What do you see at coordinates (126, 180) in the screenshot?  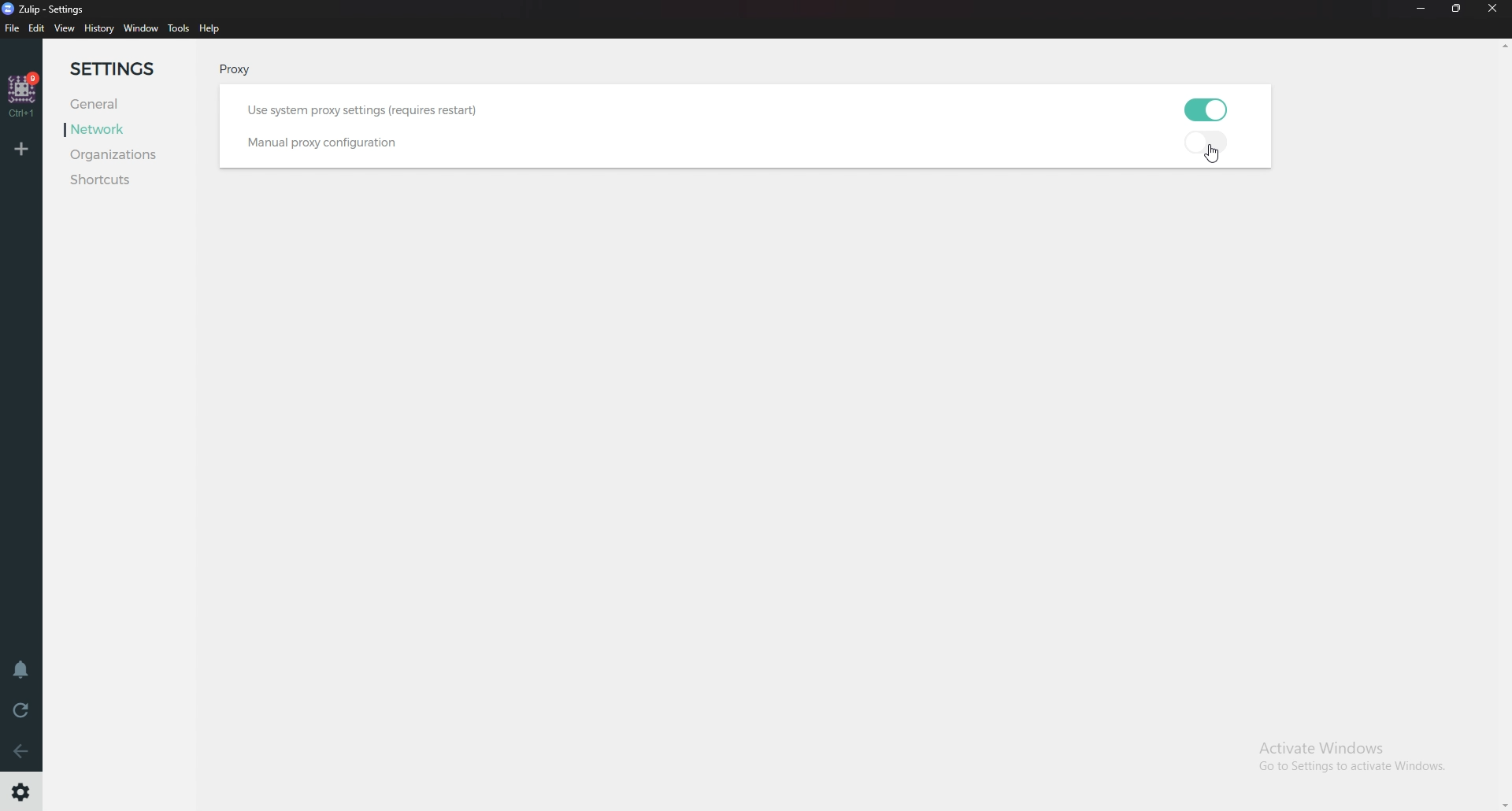 I see `Shortcuts` at bounding box center [126, 180].